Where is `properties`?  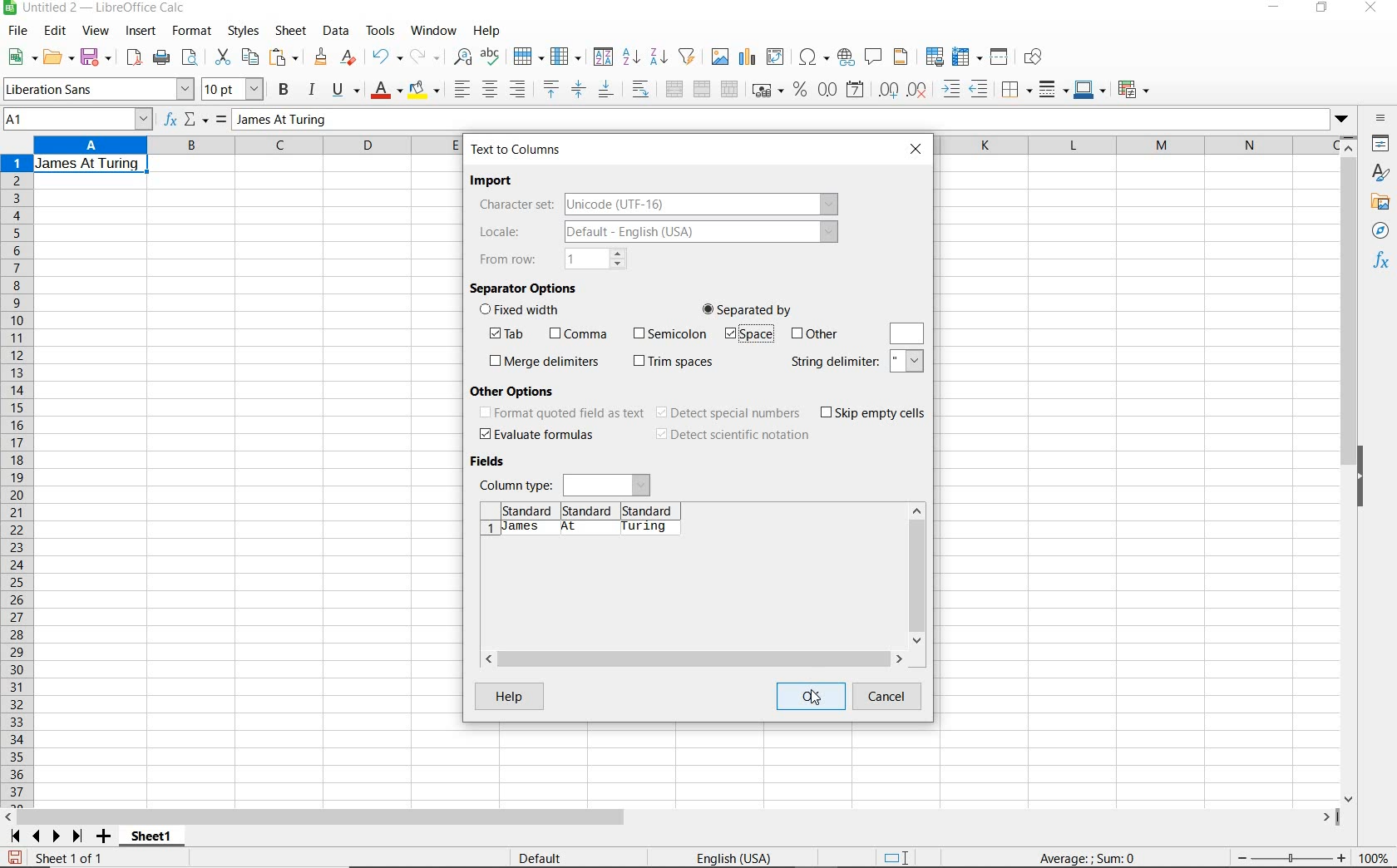 properties is located at coordinates (1381, 143).